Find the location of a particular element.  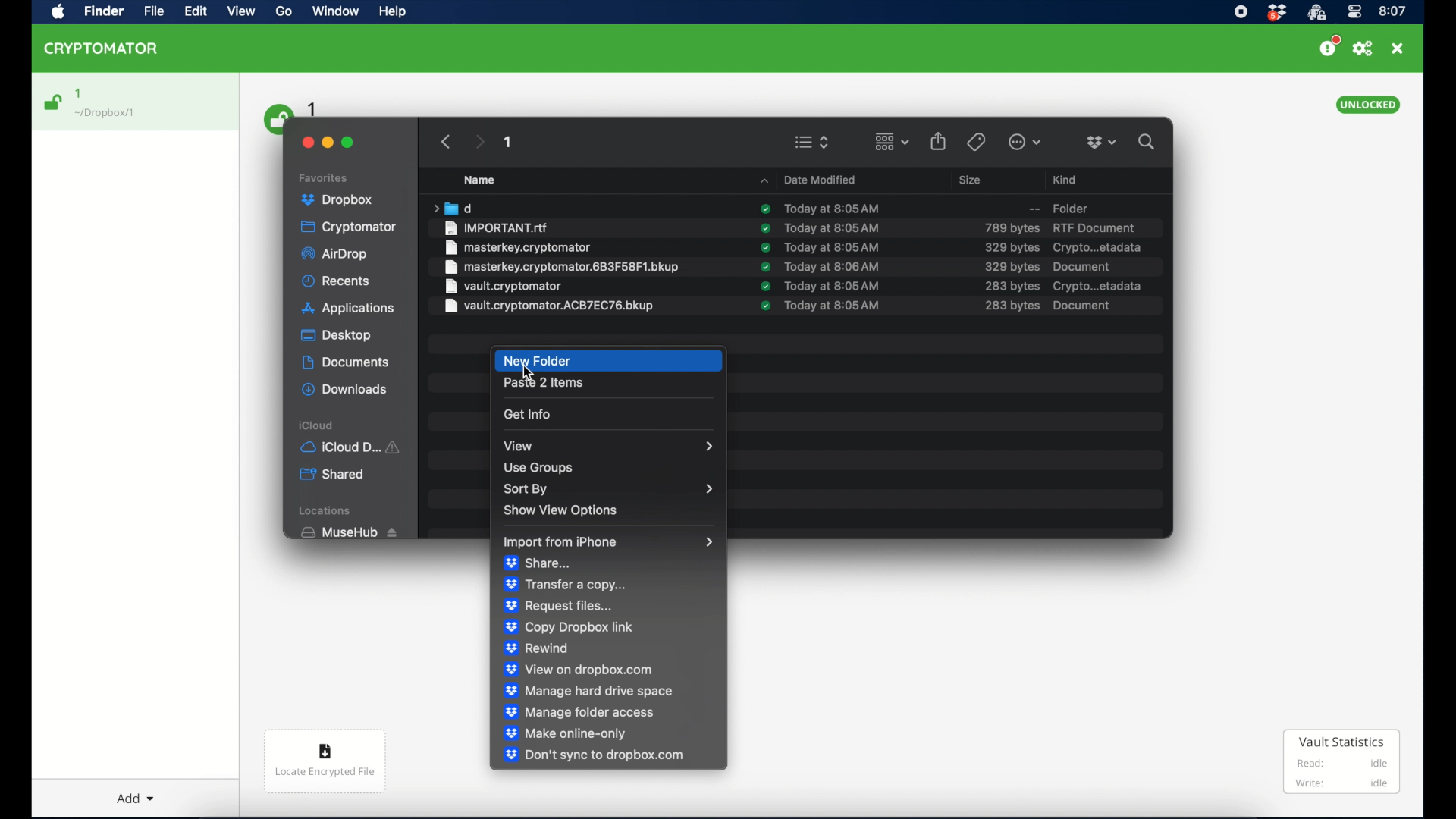

dropbox icon is located at coordinates (1276, 13).